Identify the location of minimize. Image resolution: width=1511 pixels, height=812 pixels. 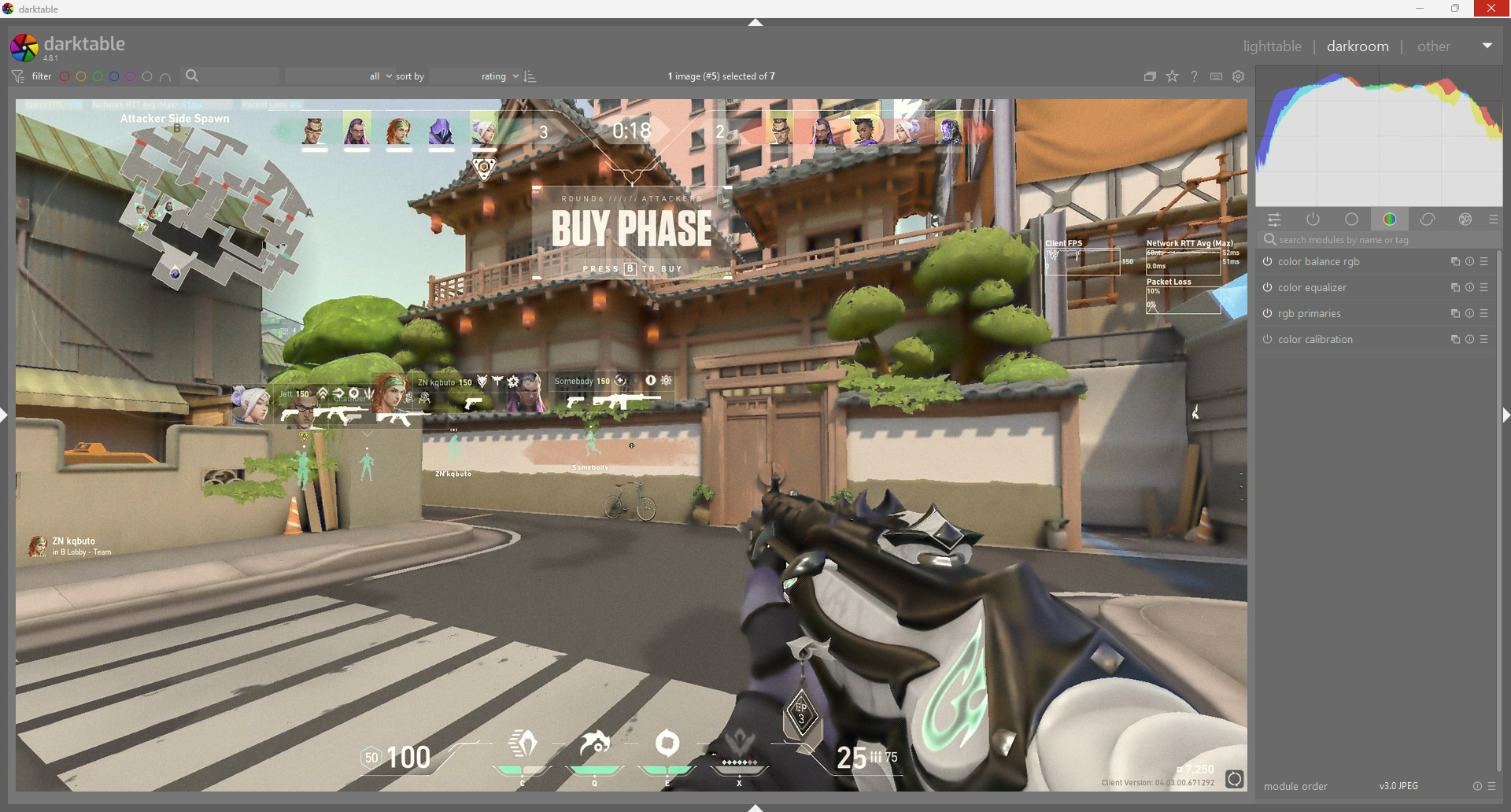
(1420, 9).